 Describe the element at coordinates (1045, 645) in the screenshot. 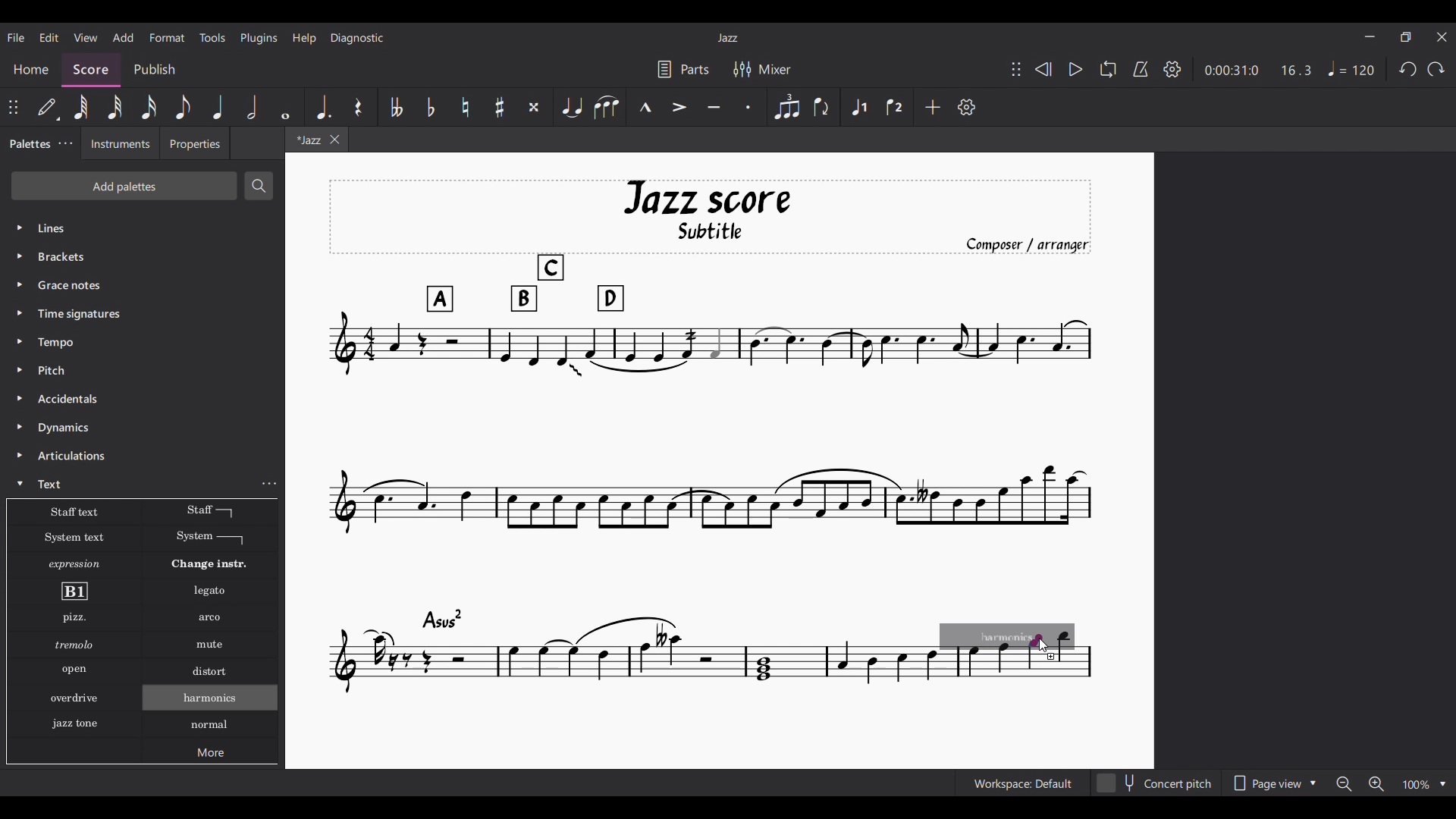

I see `Cursor` at that location.